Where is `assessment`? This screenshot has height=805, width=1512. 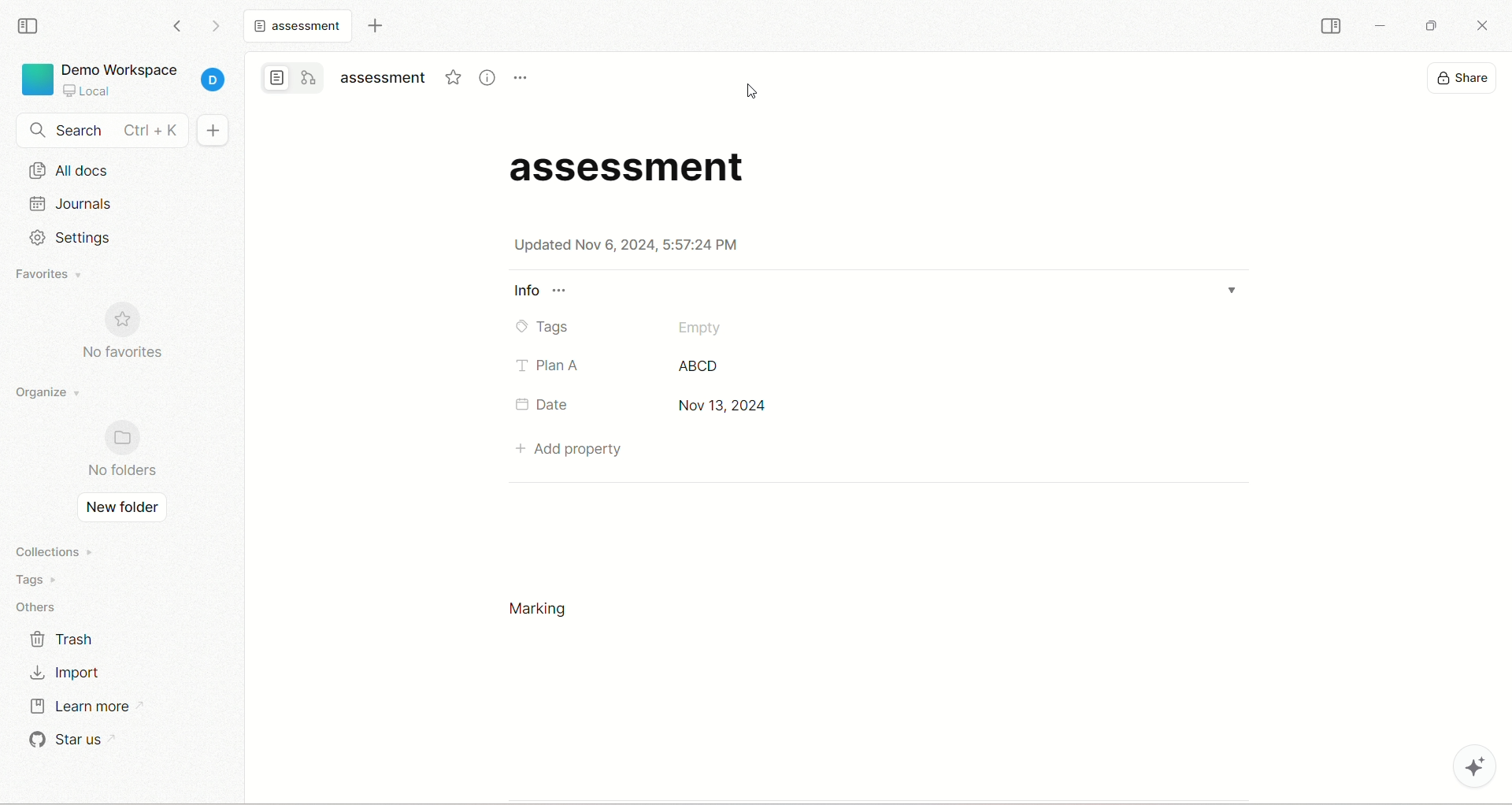
assessment is located at coordinates (385, 78).